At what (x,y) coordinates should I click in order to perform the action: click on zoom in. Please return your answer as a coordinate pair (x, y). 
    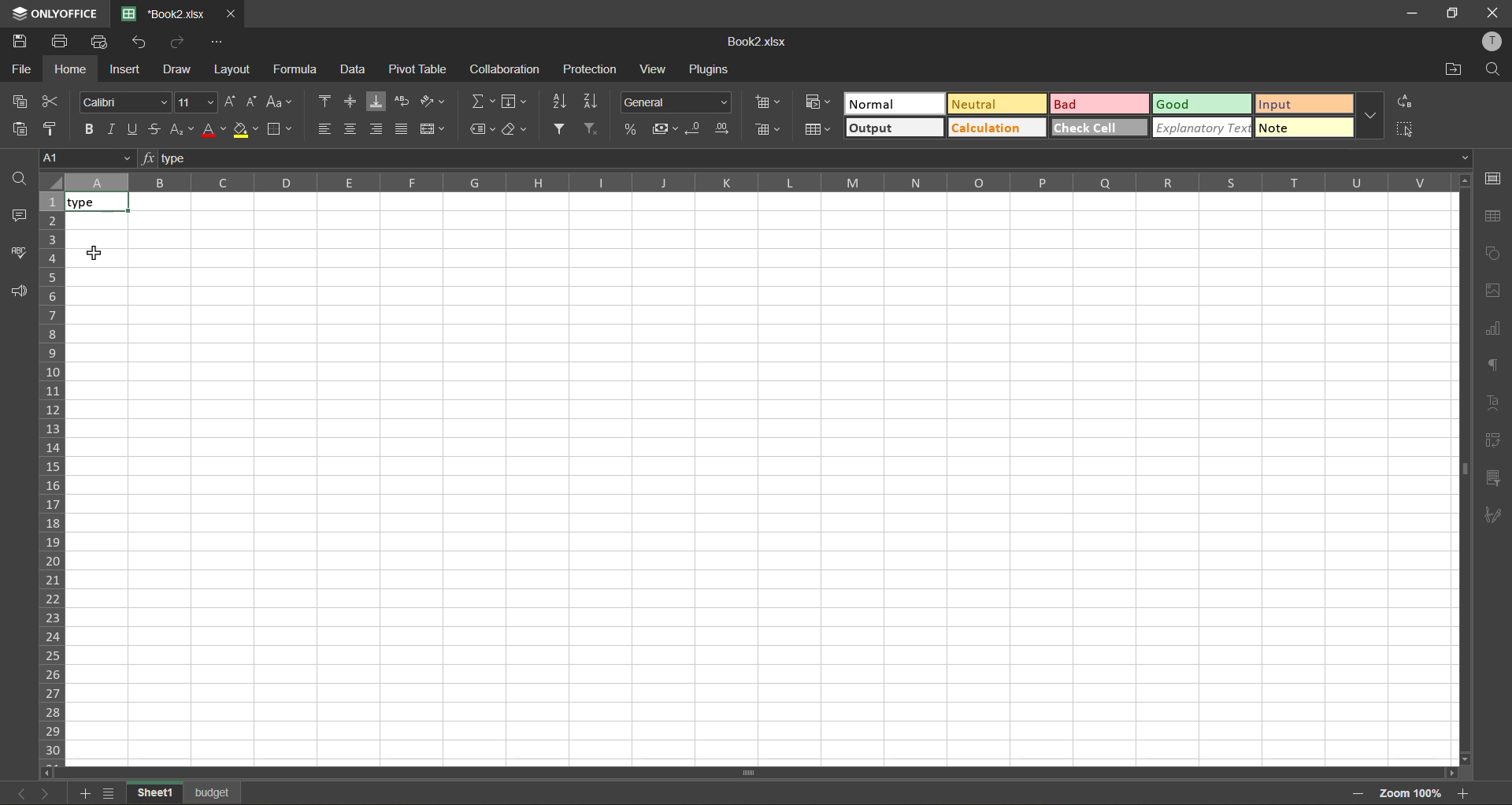
    Looking at the image, I should click on (1464, 792).